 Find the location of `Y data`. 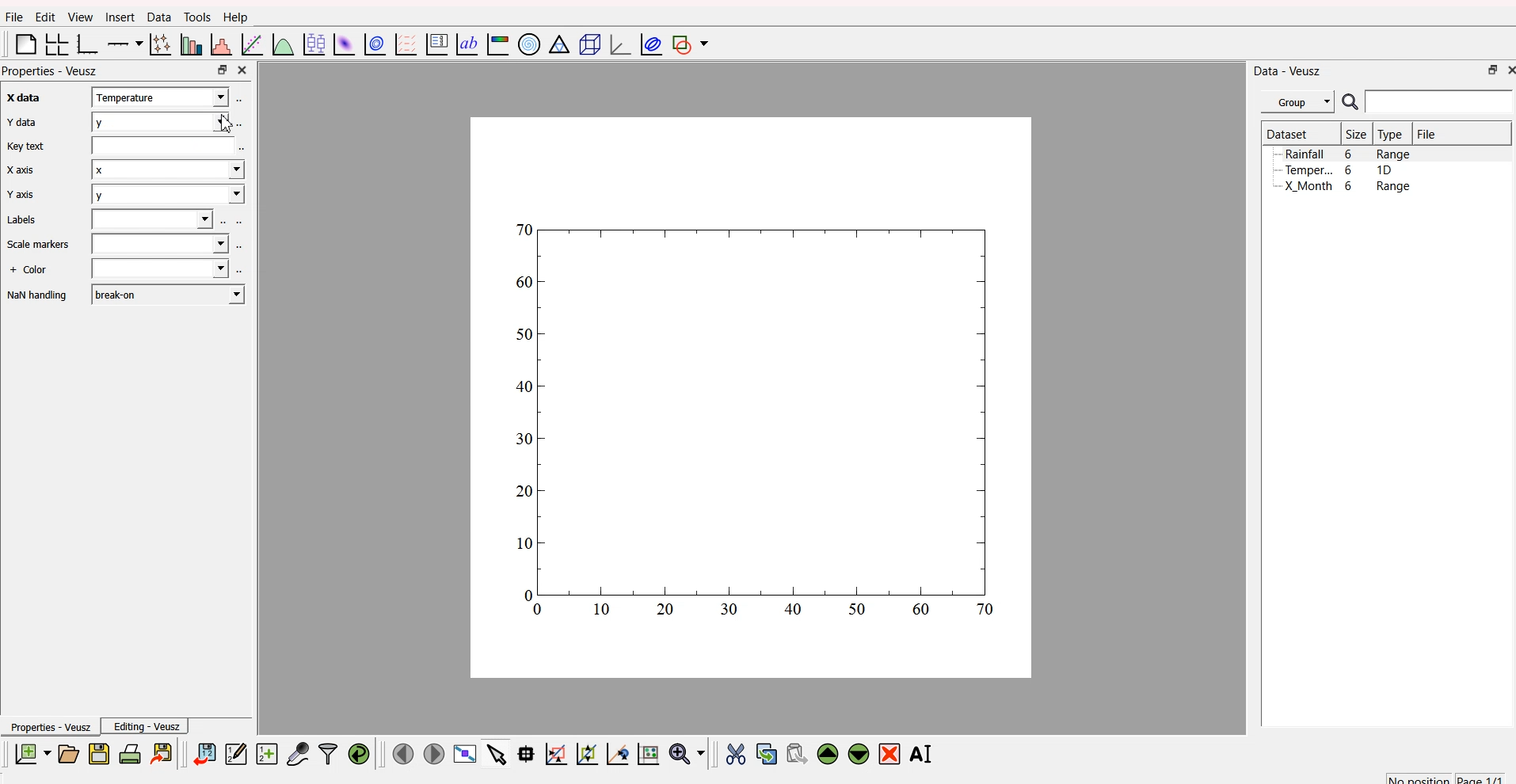

Y data is located at coordinates (21, 124).